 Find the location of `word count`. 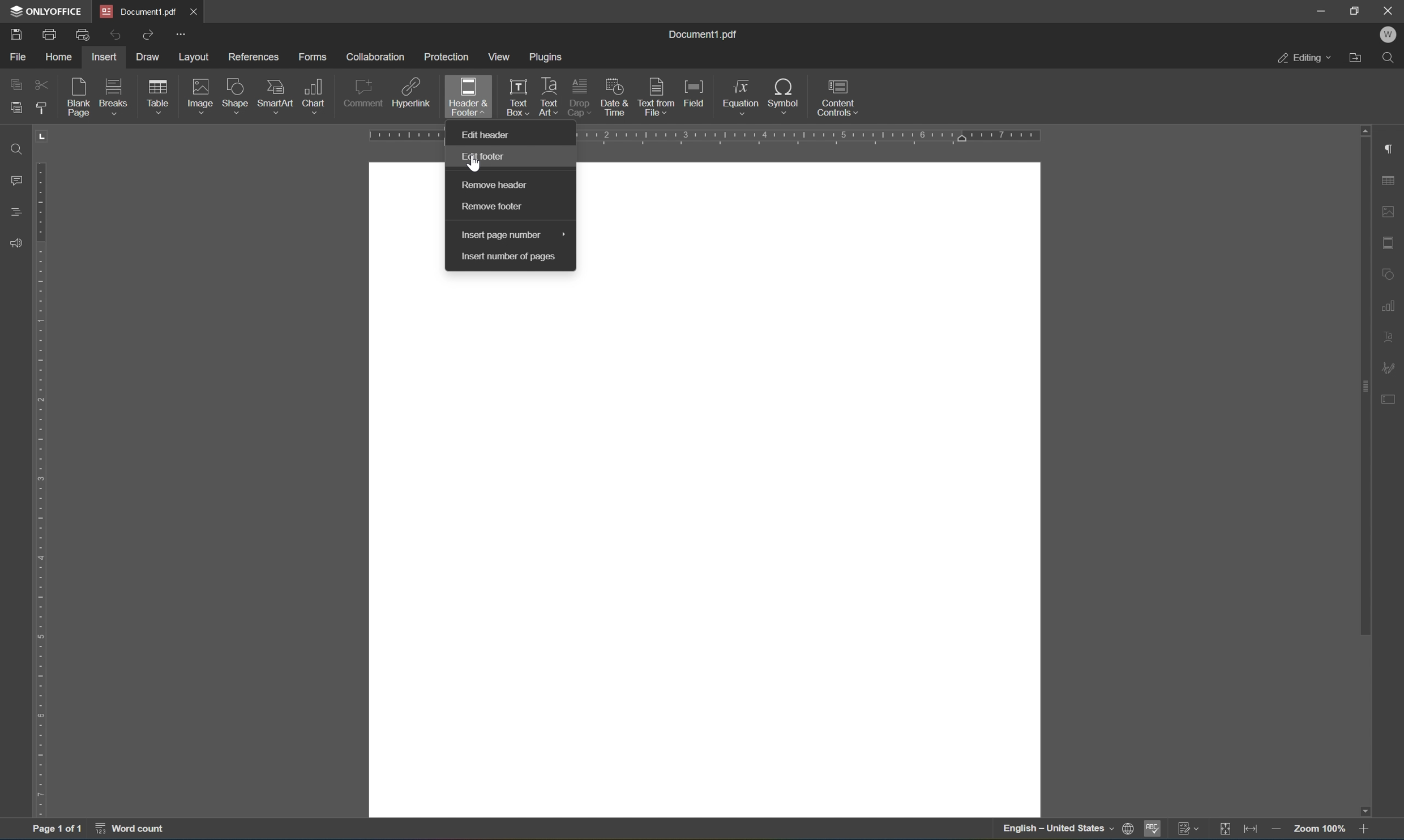

word count is located at coordinates (136, 829).